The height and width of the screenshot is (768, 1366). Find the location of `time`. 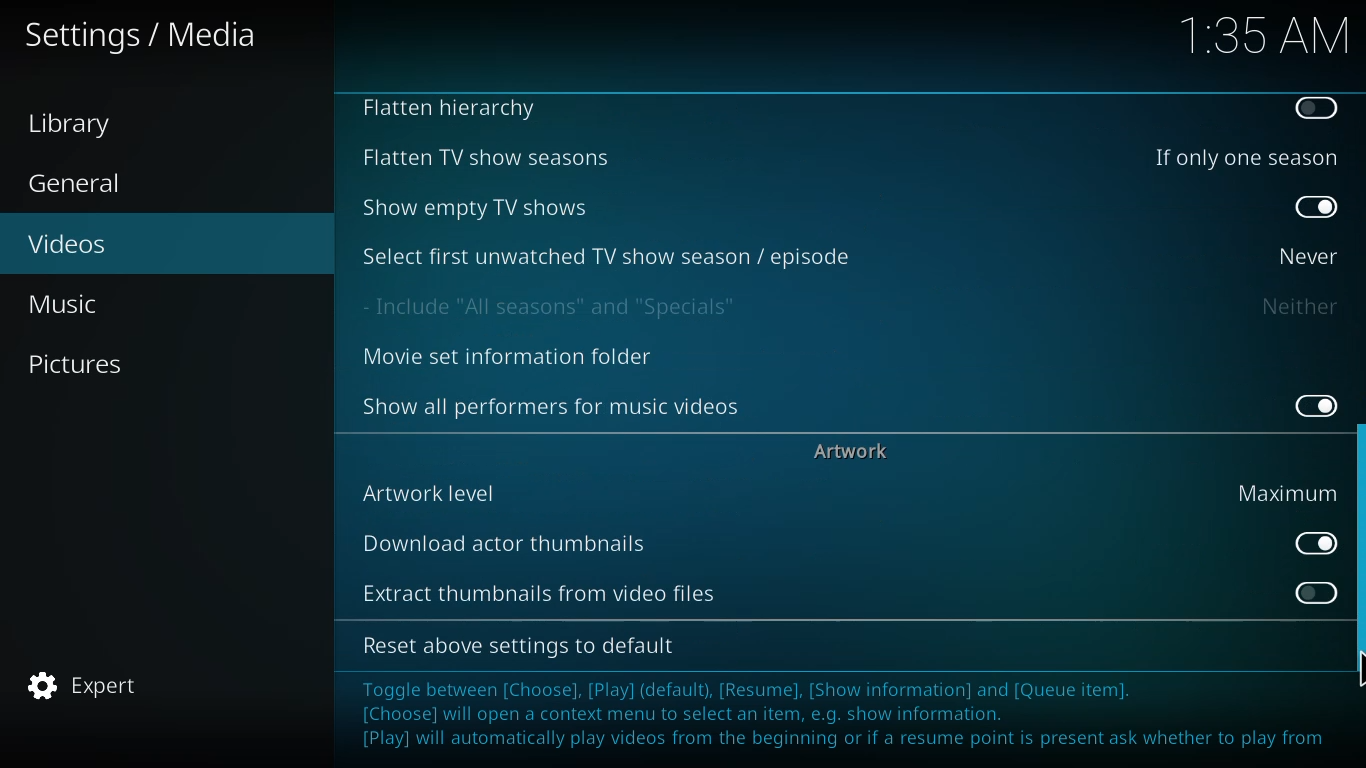

time is located at coordinates (1264, 33).